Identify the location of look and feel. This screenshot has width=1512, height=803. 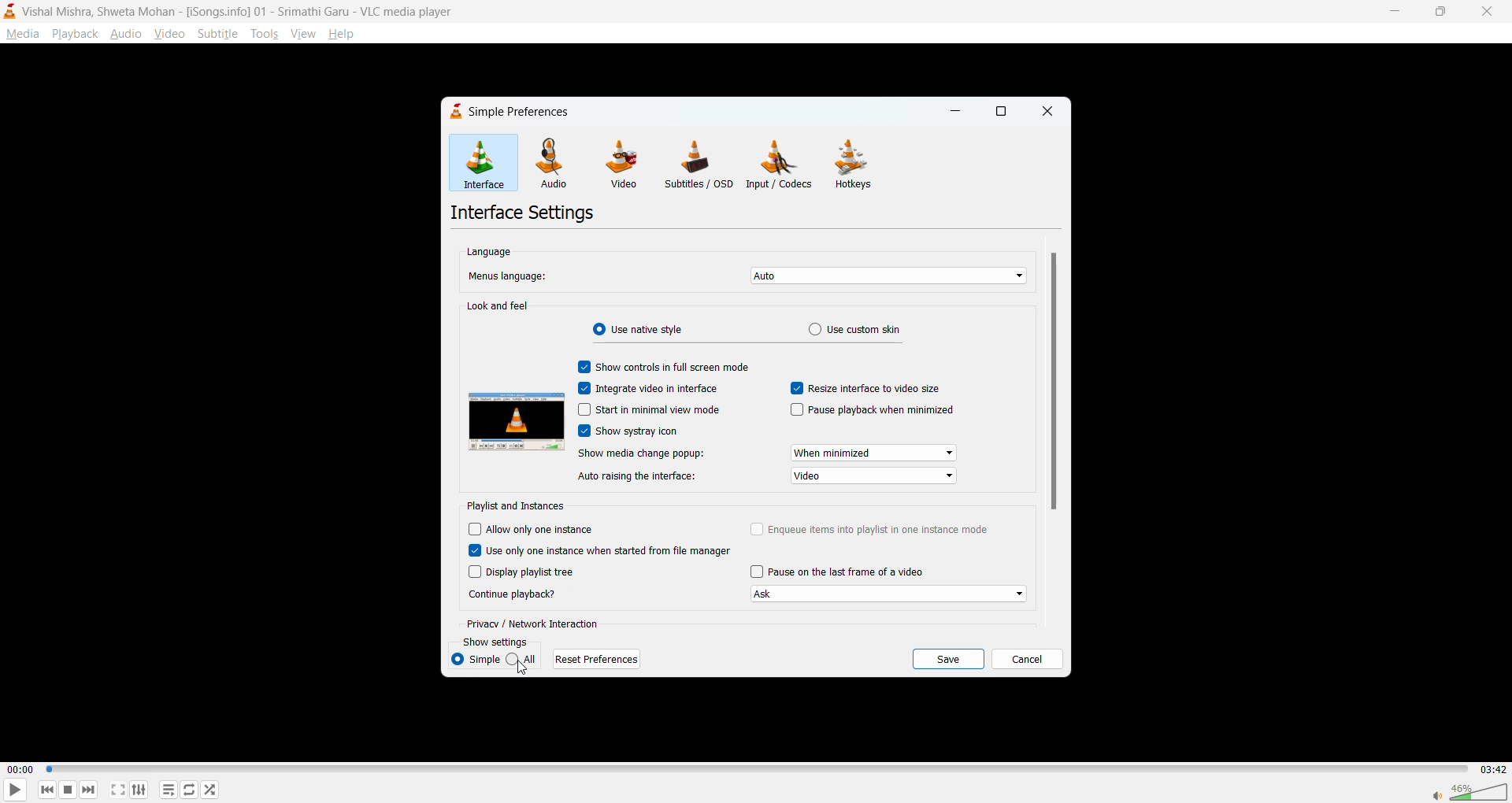
(499, 306).